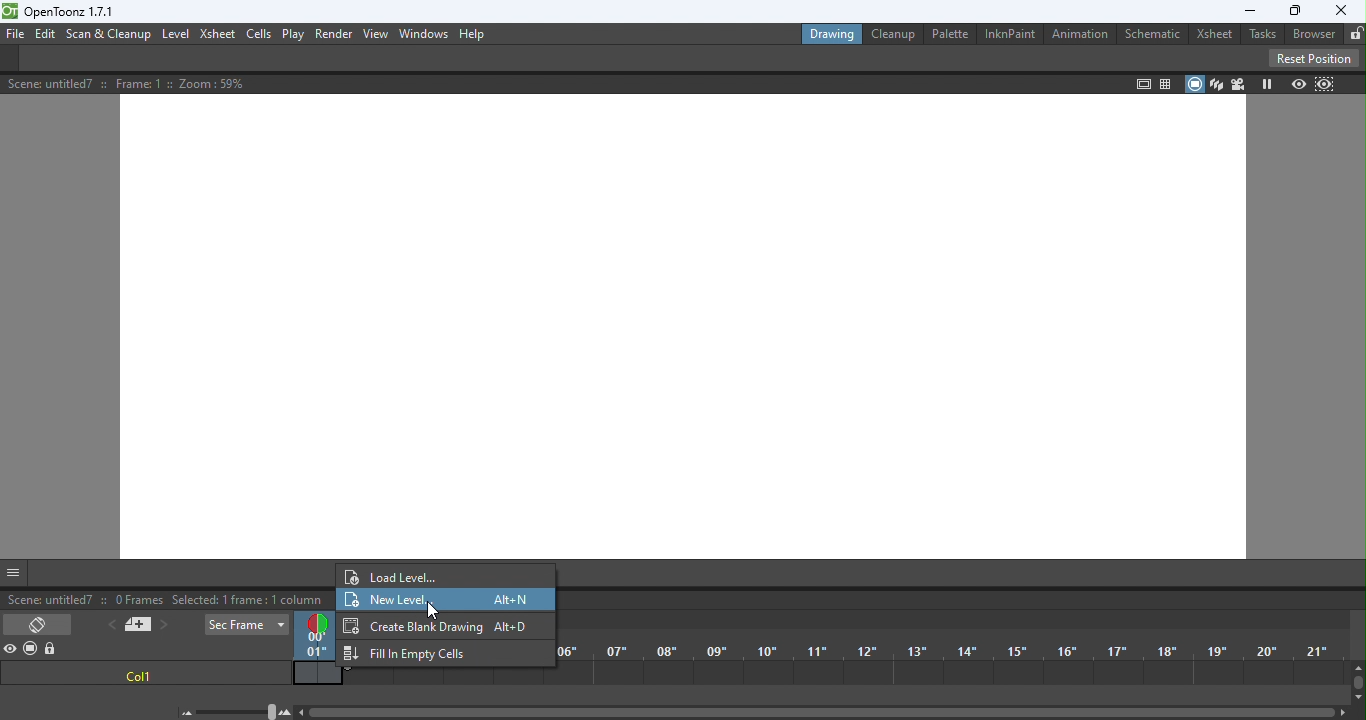 Image resolution: width=1366 pixels, height=720 pixels. Describe the element at coordinates (1217, 35) in the screenshot. I see `Xsheet` at that location.